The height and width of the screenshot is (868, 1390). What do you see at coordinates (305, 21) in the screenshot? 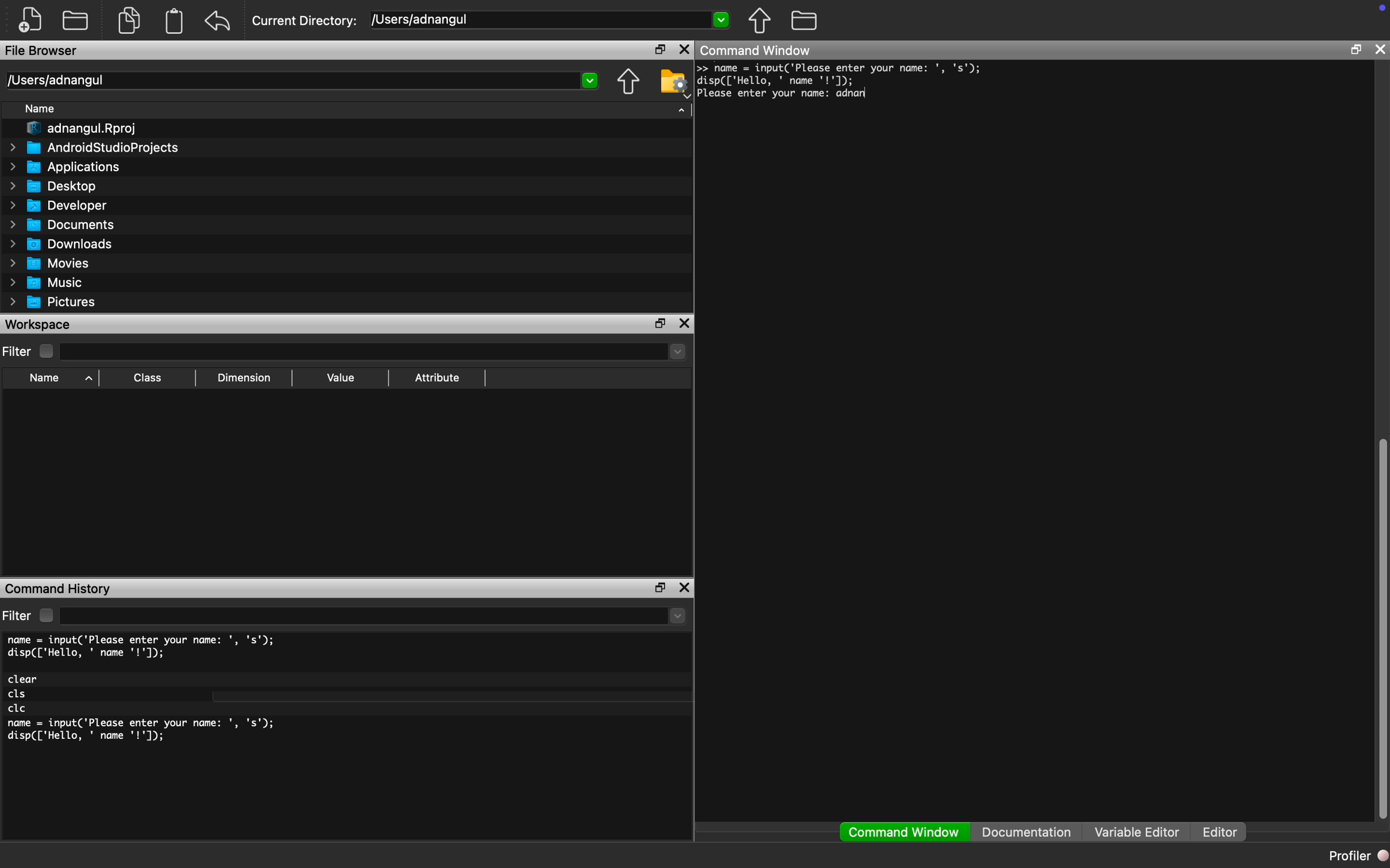
I see `Current Directory: ` at bounding box center [305, 21].